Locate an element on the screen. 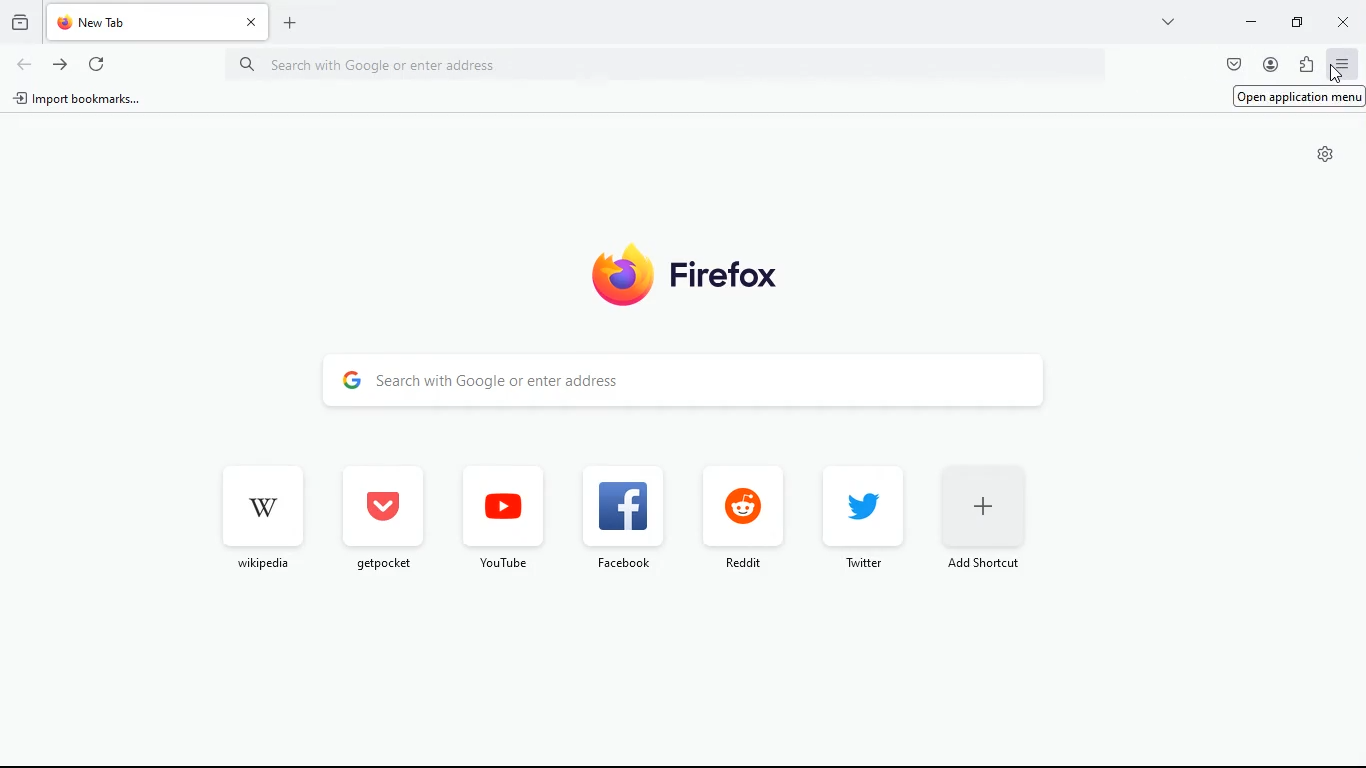 Image resolution: width=1366 pixels, height=768 pixels. reddit is located at coordinates (747, 523).